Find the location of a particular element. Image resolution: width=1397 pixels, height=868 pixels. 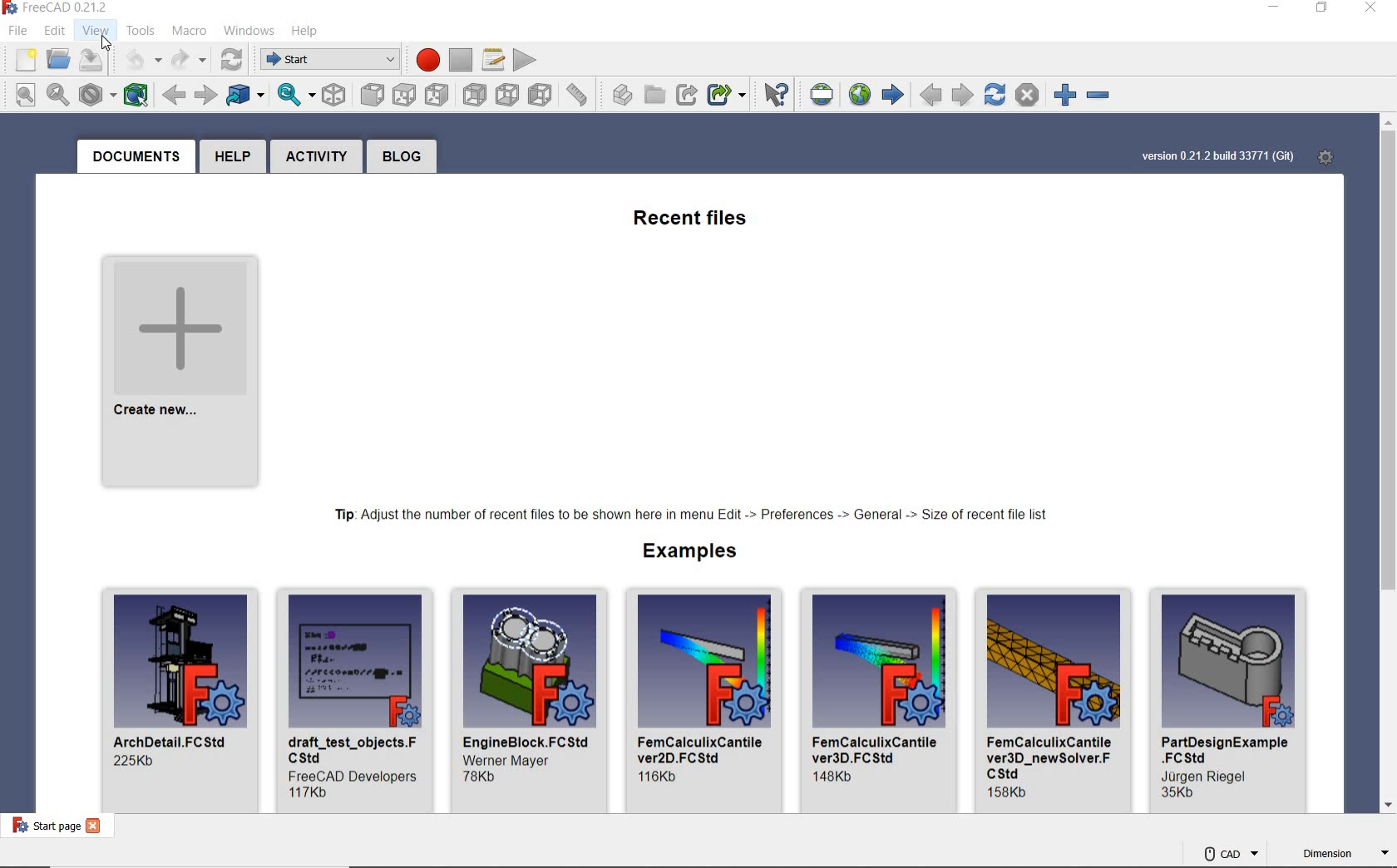

examples is located at coordinates (683, 554).